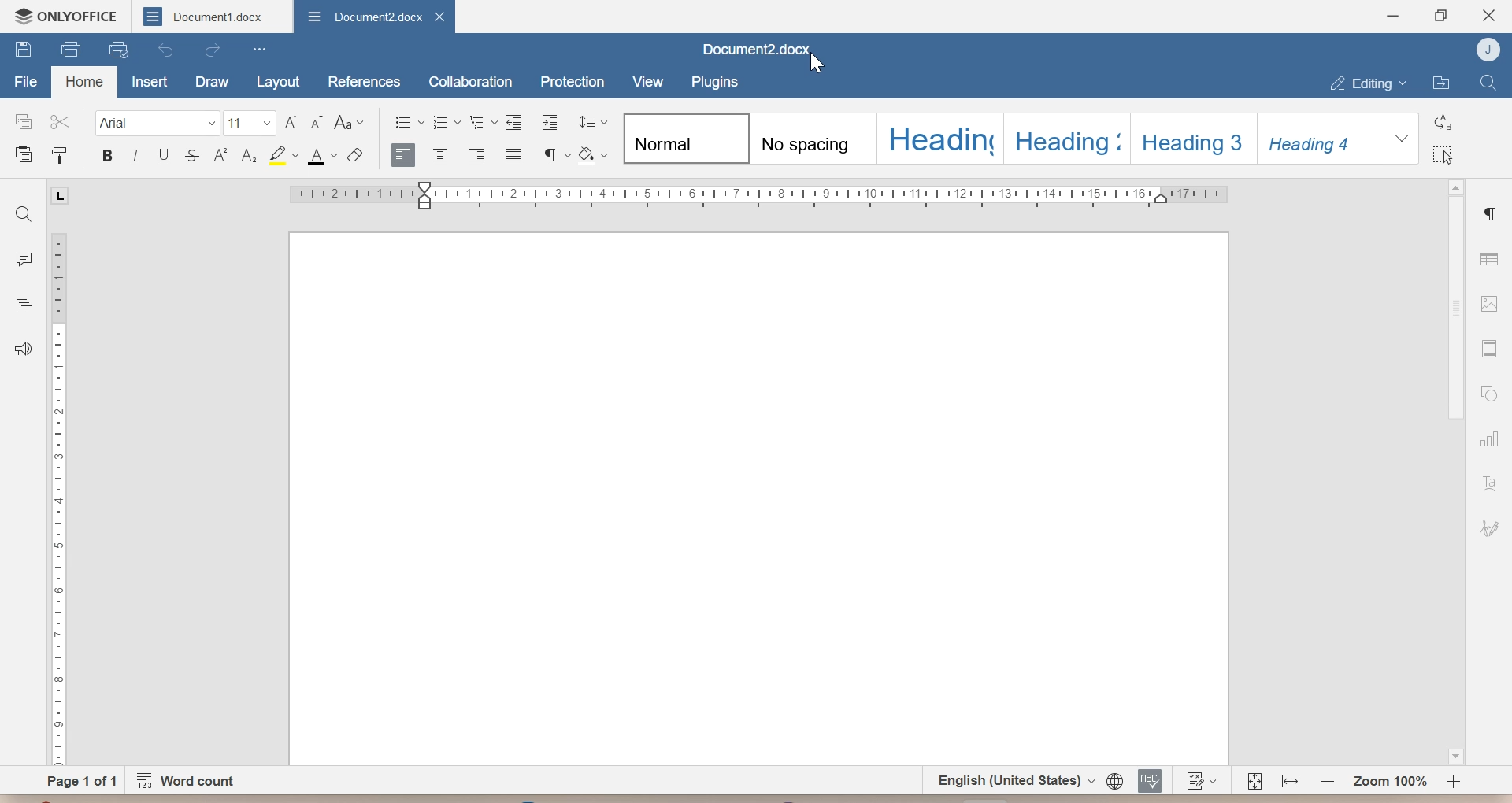 This screenshot has width=1512, height=803. I want to click on Find, so click(26, 213).